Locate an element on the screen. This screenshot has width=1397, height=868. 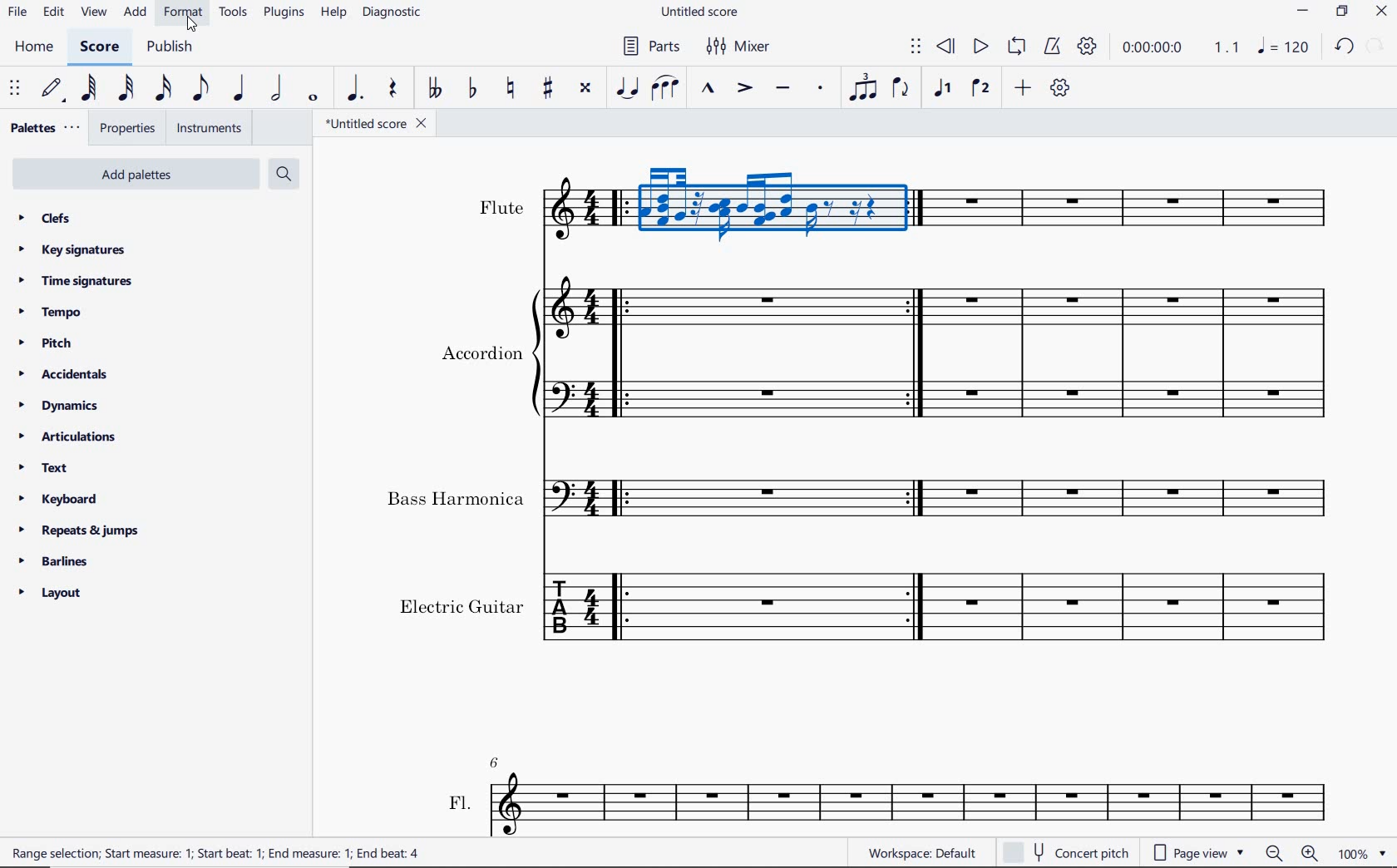
toggle double-flat is located at coordinates (434, 89).